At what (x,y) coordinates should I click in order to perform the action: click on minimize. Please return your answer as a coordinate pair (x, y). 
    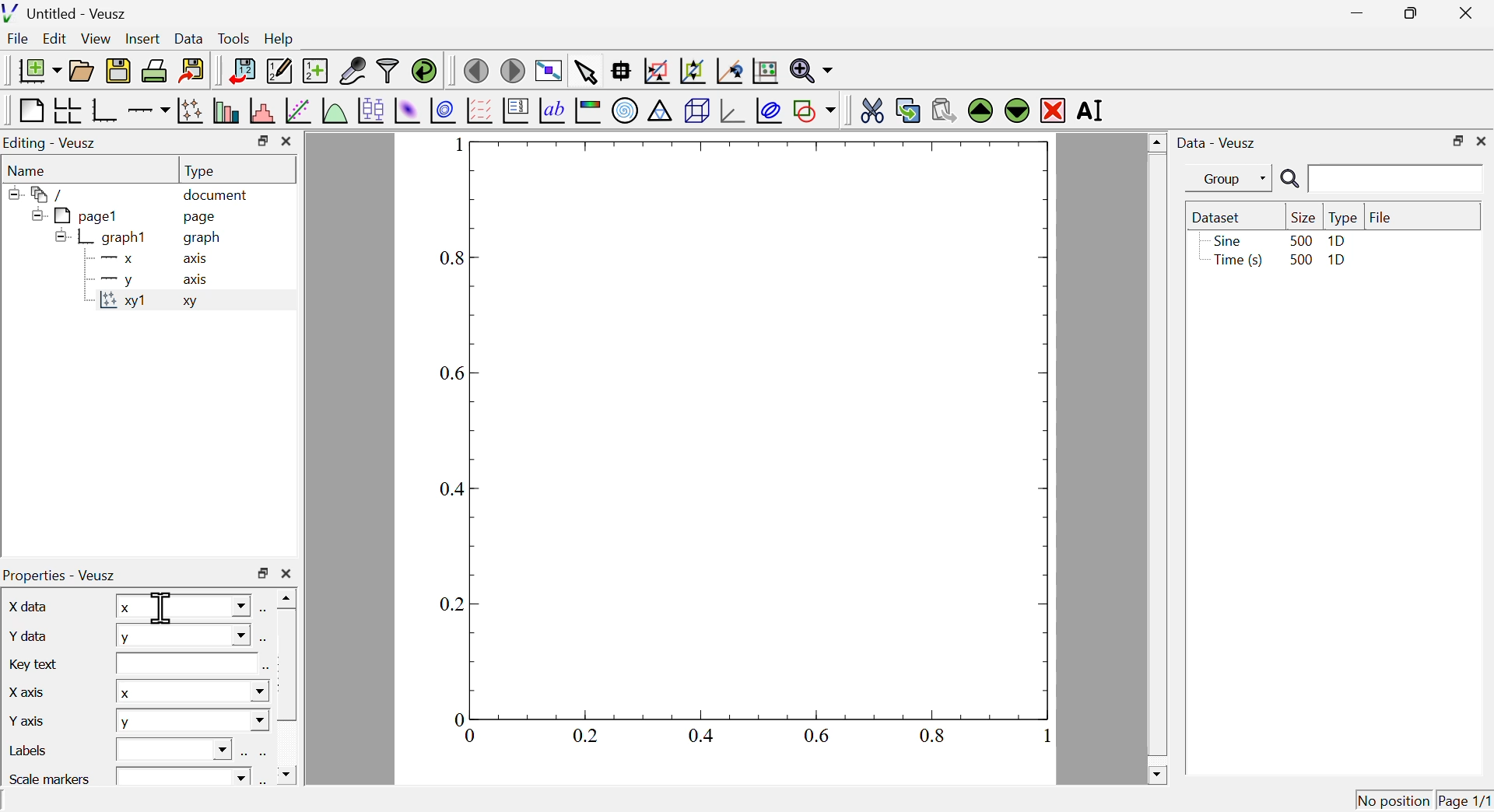
    Looking at the image, I should click on (1352, 13).